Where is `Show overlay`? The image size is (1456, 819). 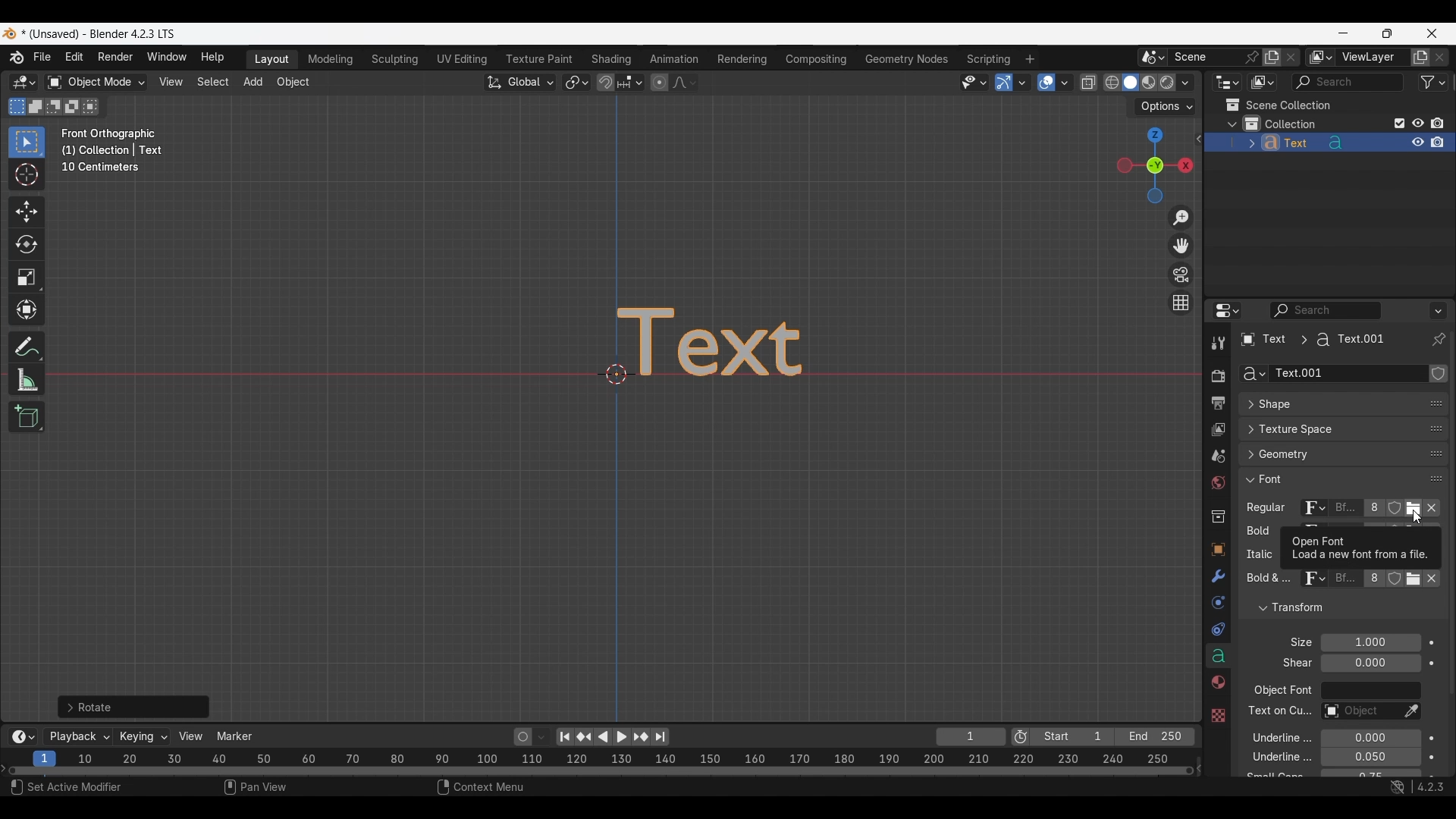 Show overlay is located at coordinates (1046, 83).